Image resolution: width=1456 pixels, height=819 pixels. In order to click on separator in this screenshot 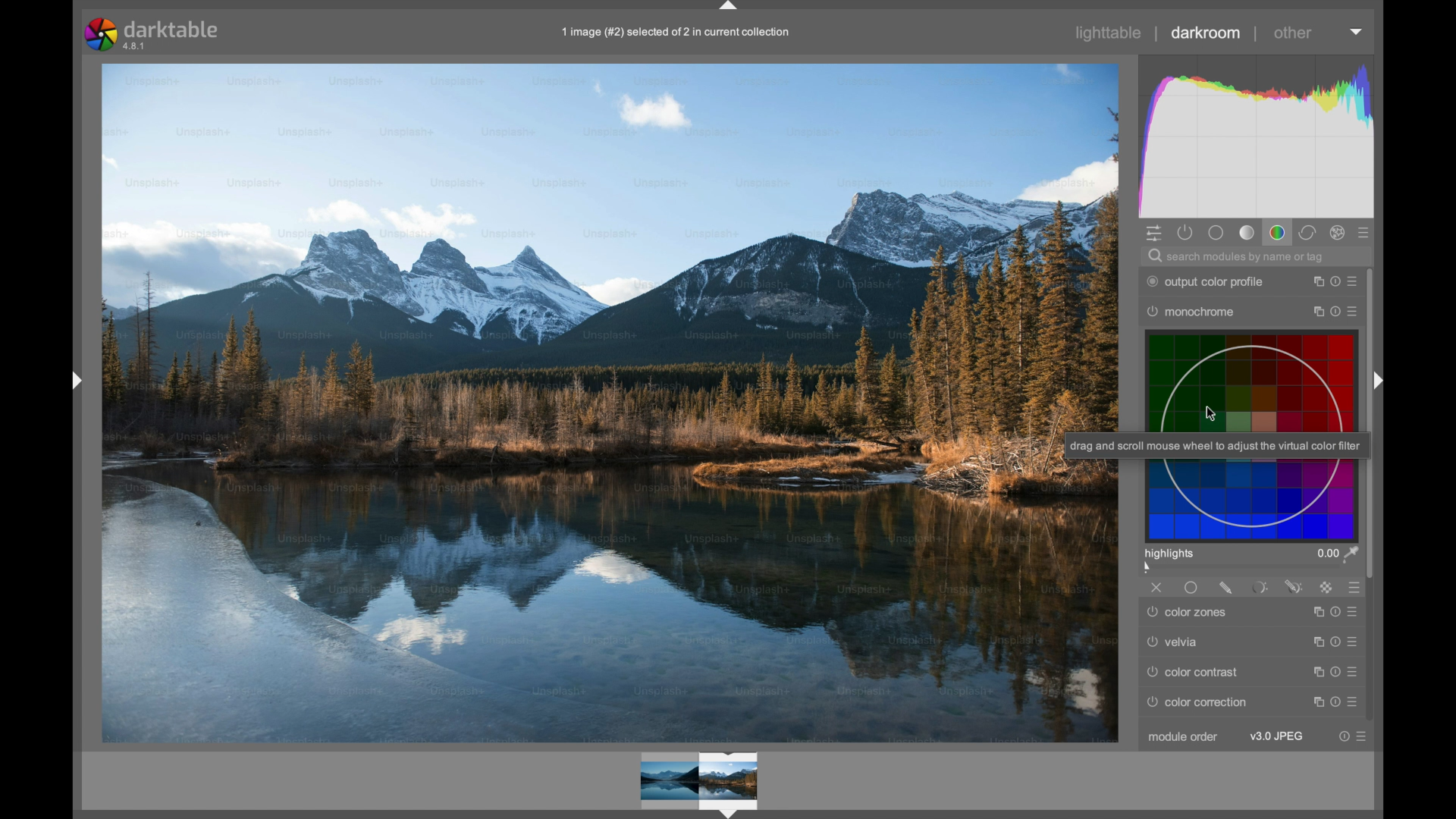, I will do `click(1256, 35)`.